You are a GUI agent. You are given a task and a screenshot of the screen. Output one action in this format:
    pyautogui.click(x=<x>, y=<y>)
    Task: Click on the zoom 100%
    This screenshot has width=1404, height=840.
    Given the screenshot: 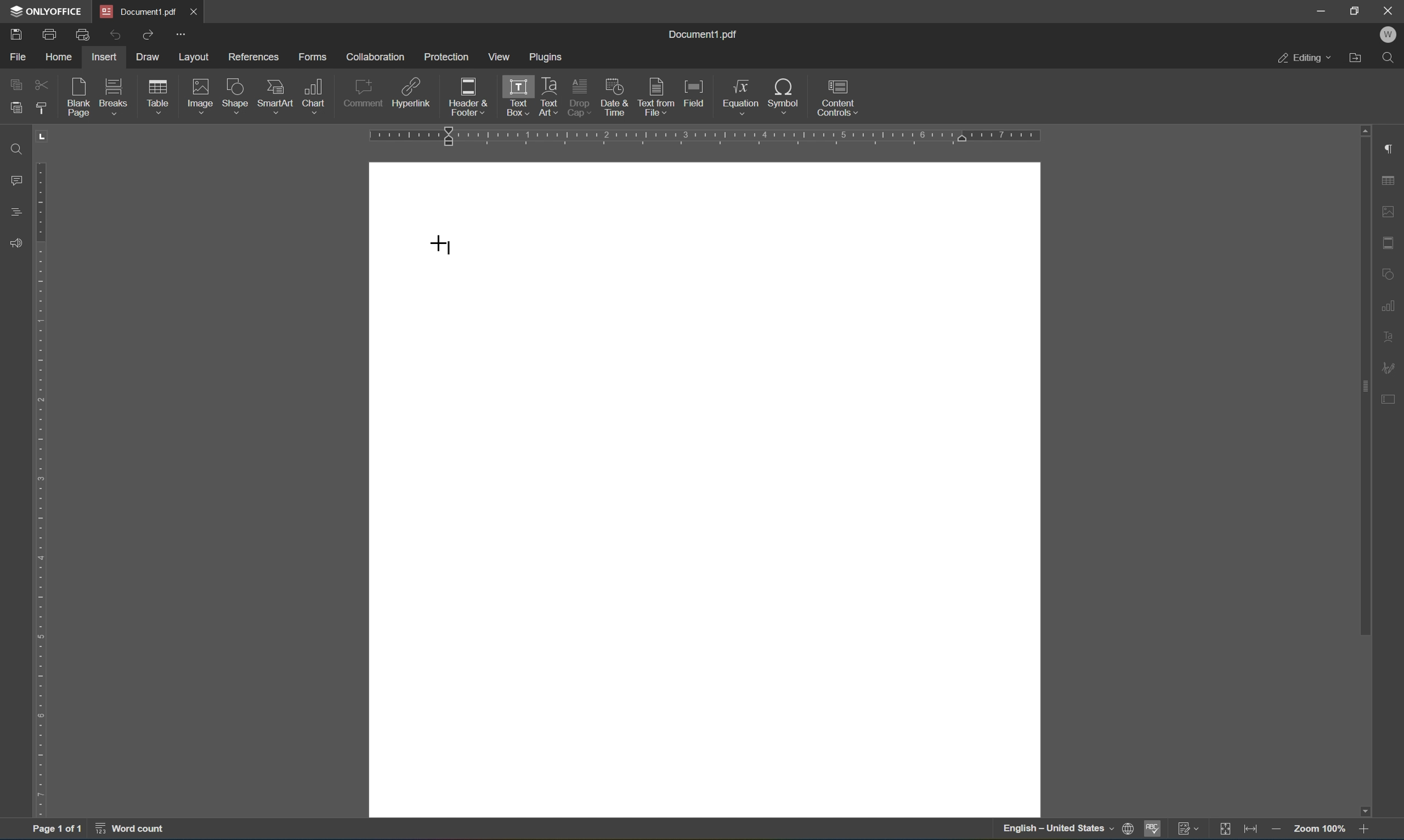 What is the action you would take?
    pyautogui.click(x=1320, y=831)
    